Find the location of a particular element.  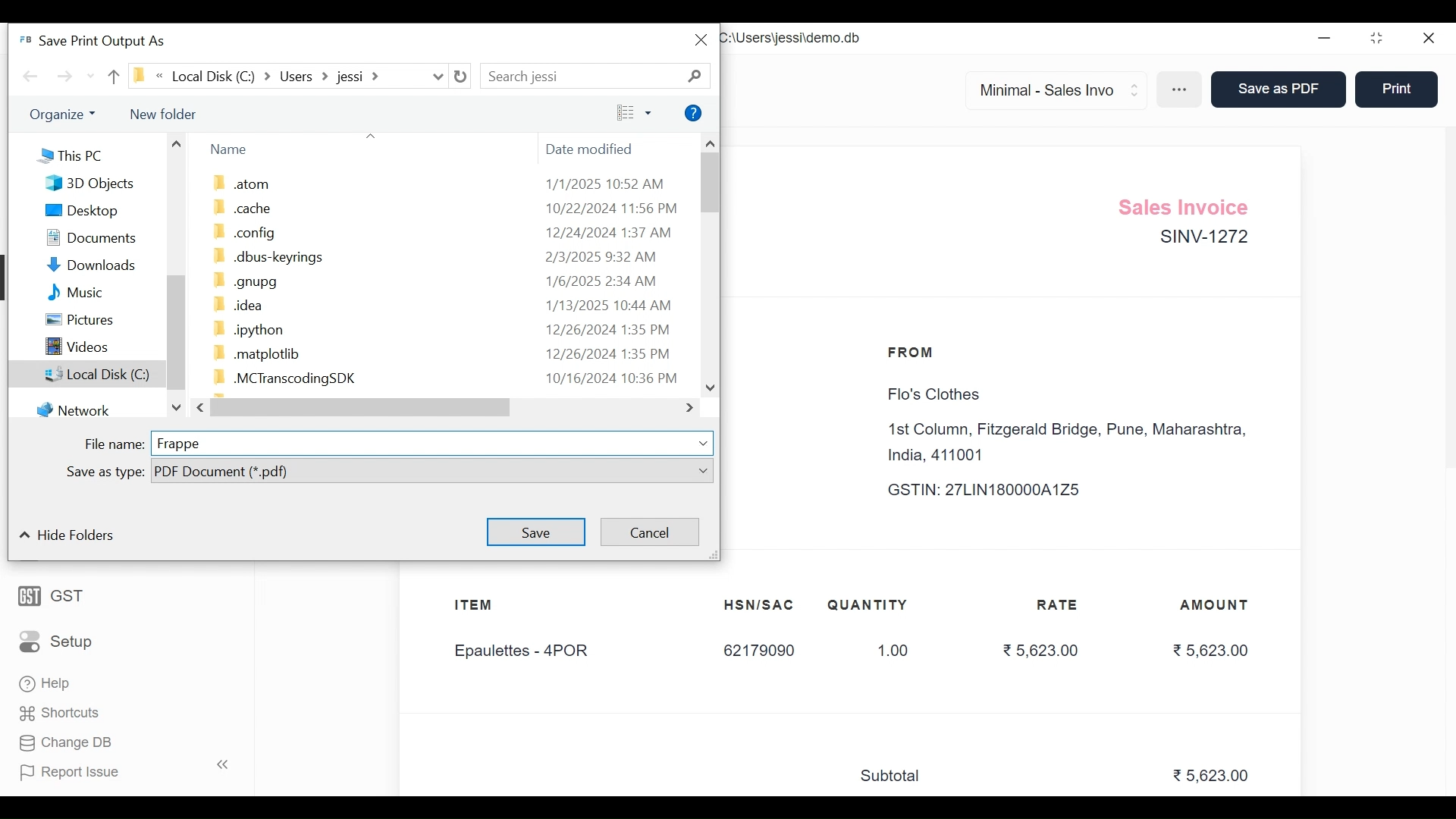

Close is located at coordinates (1429, 39).